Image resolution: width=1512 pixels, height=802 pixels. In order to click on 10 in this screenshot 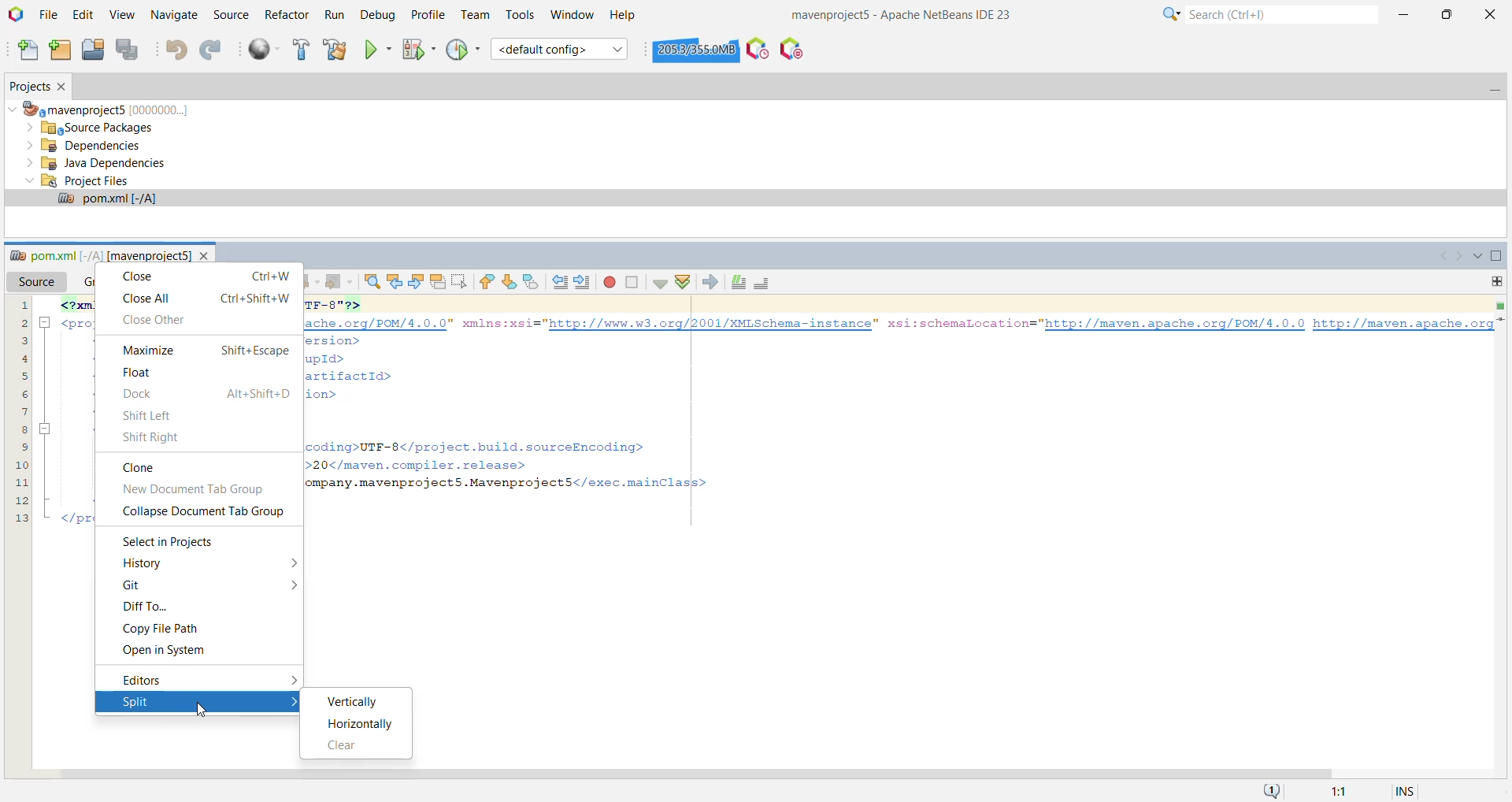, I will do `click(21, 462)`.